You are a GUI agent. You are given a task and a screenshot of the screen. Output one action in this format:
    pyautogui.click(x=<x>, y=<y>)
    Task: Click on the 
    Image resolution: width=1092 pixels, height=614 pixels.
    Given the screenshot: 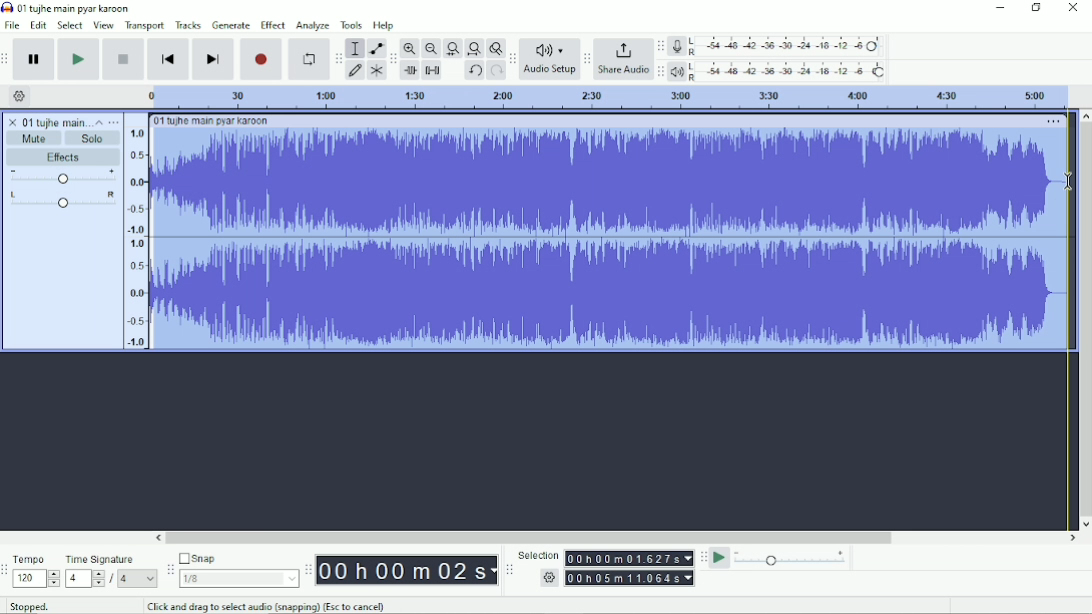 What is the action you would take?
    pyautogui.click(x=547, y=578)
    